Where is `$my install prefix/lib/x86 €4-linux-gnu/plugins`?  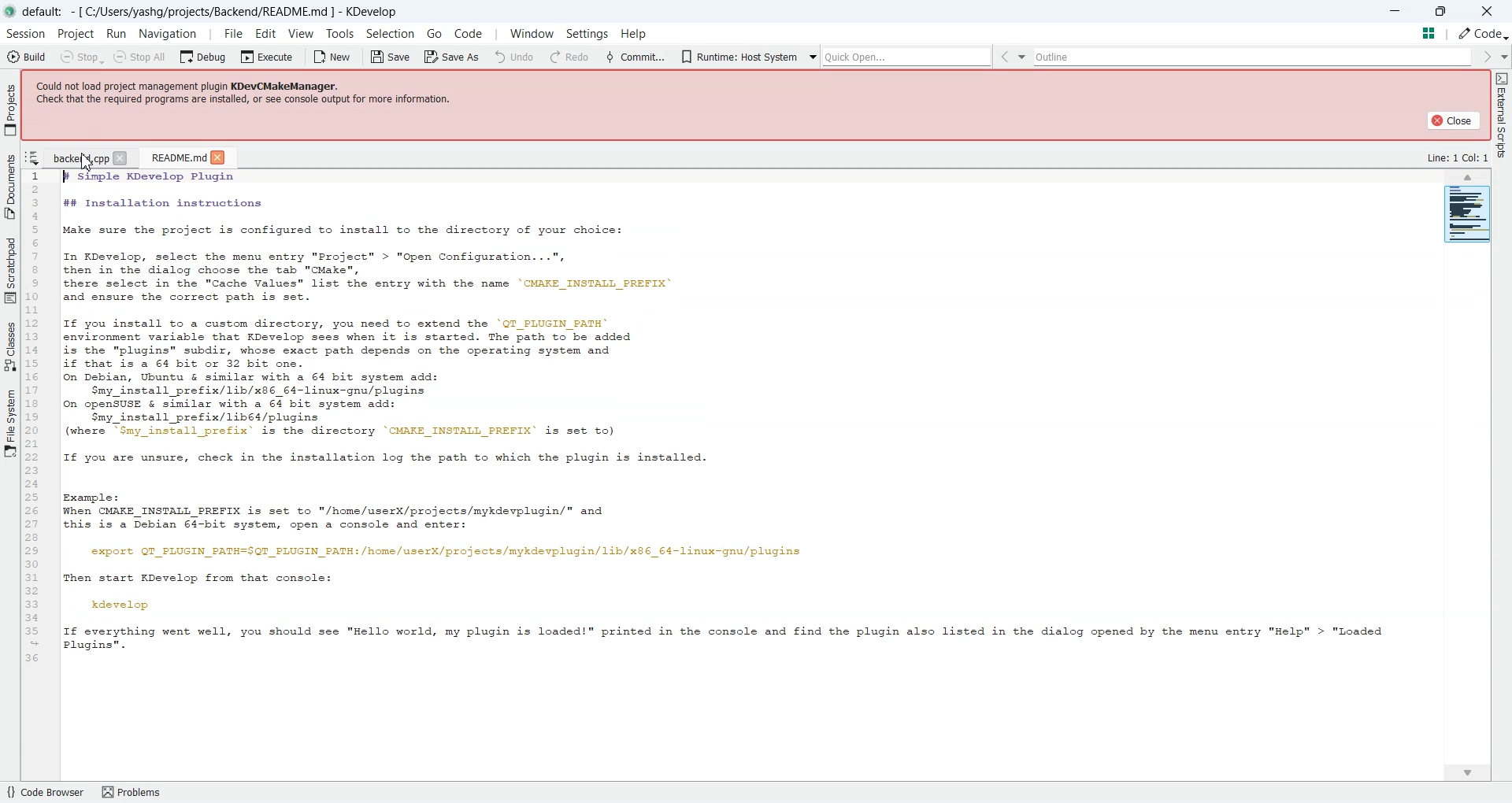
$my install prefix/lib/x86 €4-linux-gnu/plugins is located at coordinates (254, 390).